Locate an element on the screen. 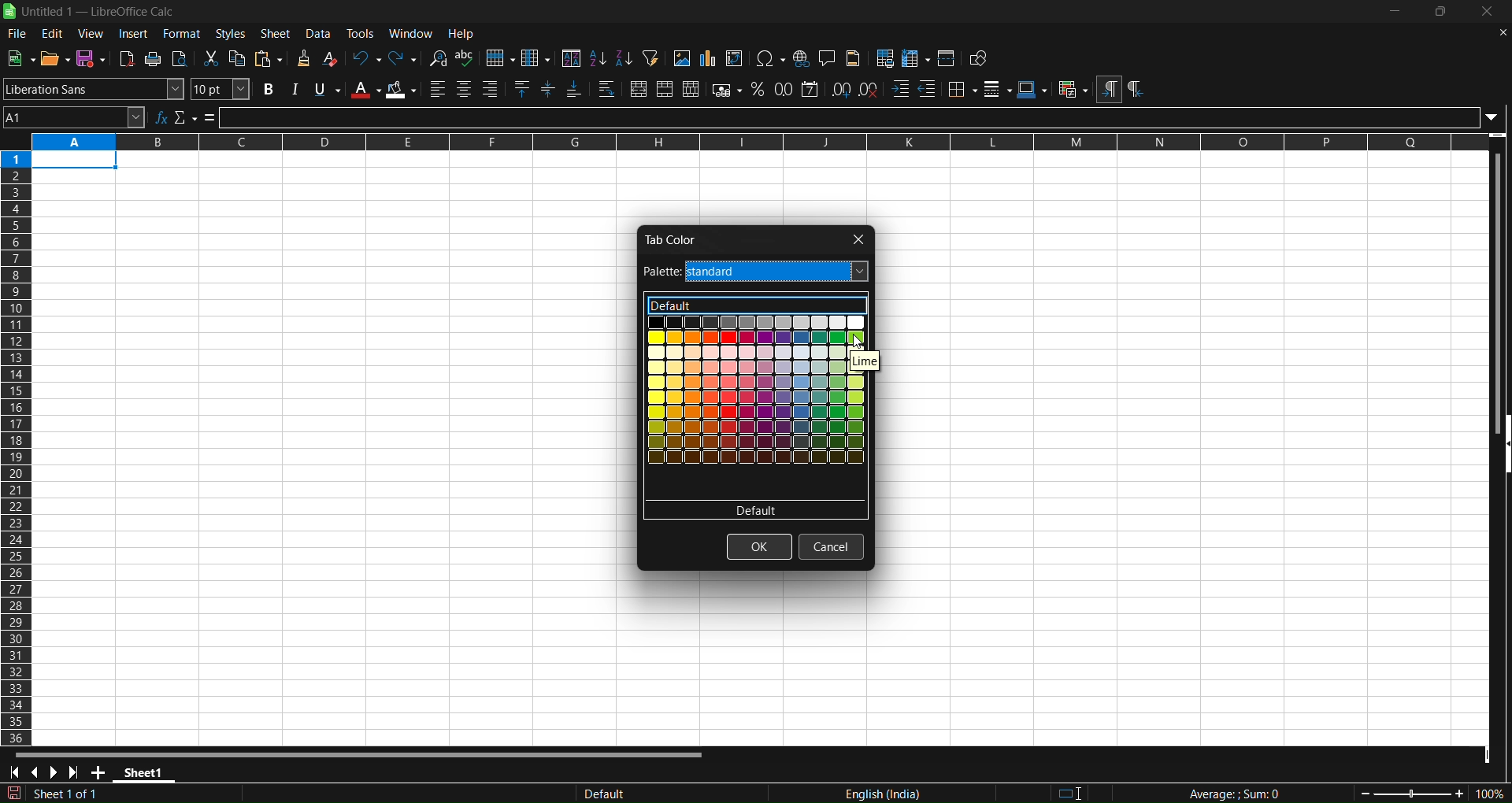  center vertically is located at coordinates (550, 90).